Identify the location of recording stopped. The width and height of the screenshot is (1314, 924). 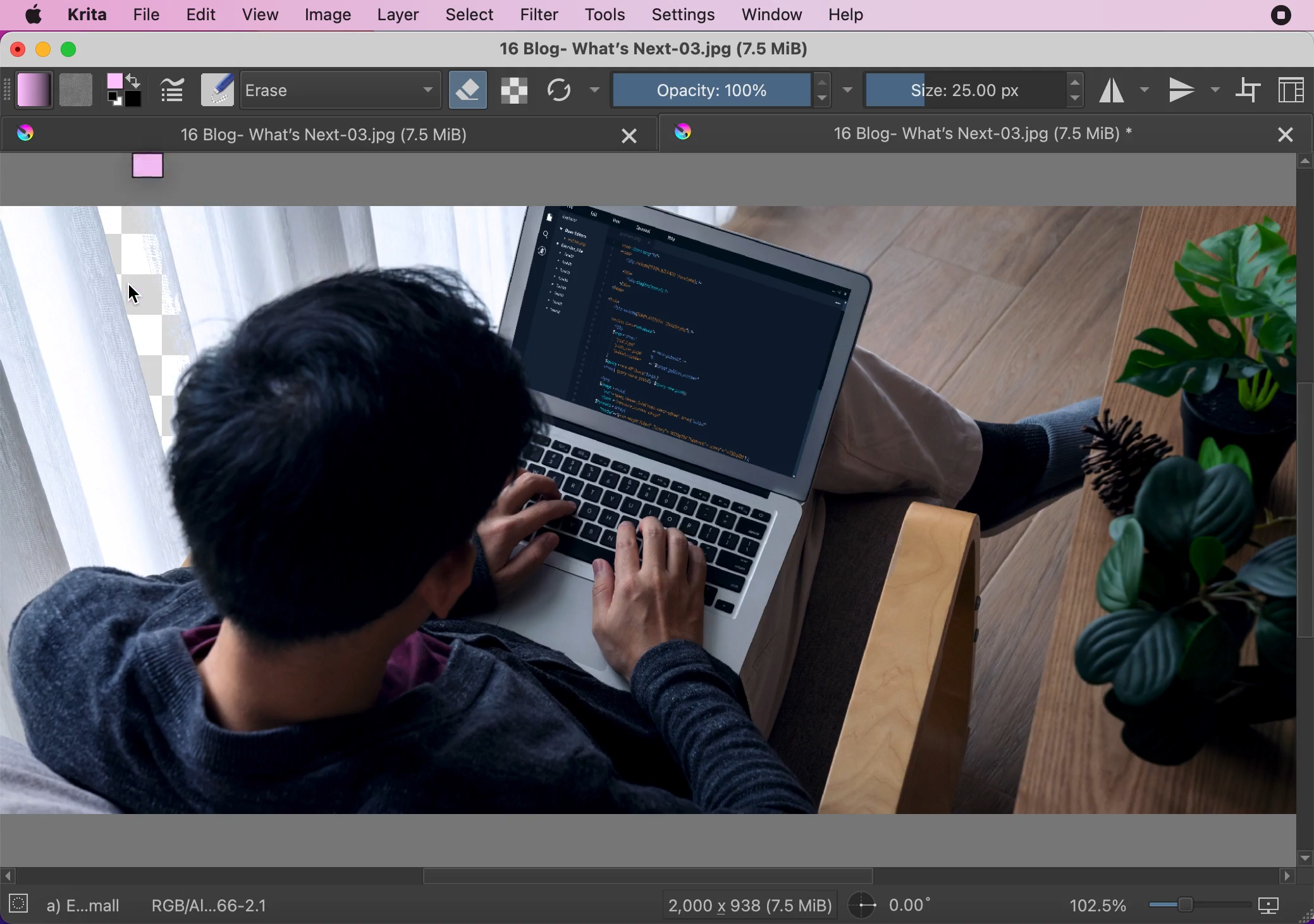
(1283, 15).